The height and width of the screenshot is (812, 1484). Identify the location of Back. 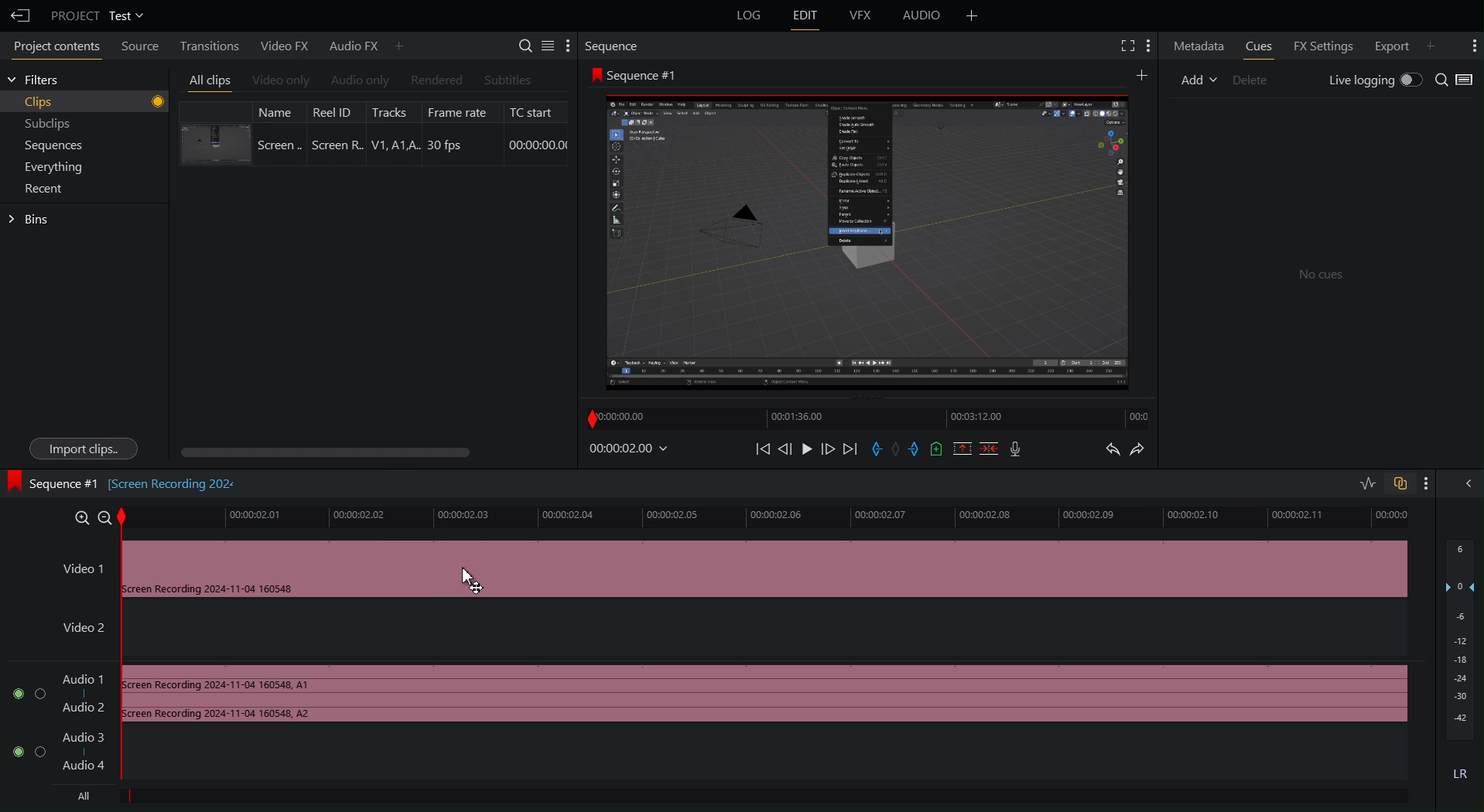
(19, 13).